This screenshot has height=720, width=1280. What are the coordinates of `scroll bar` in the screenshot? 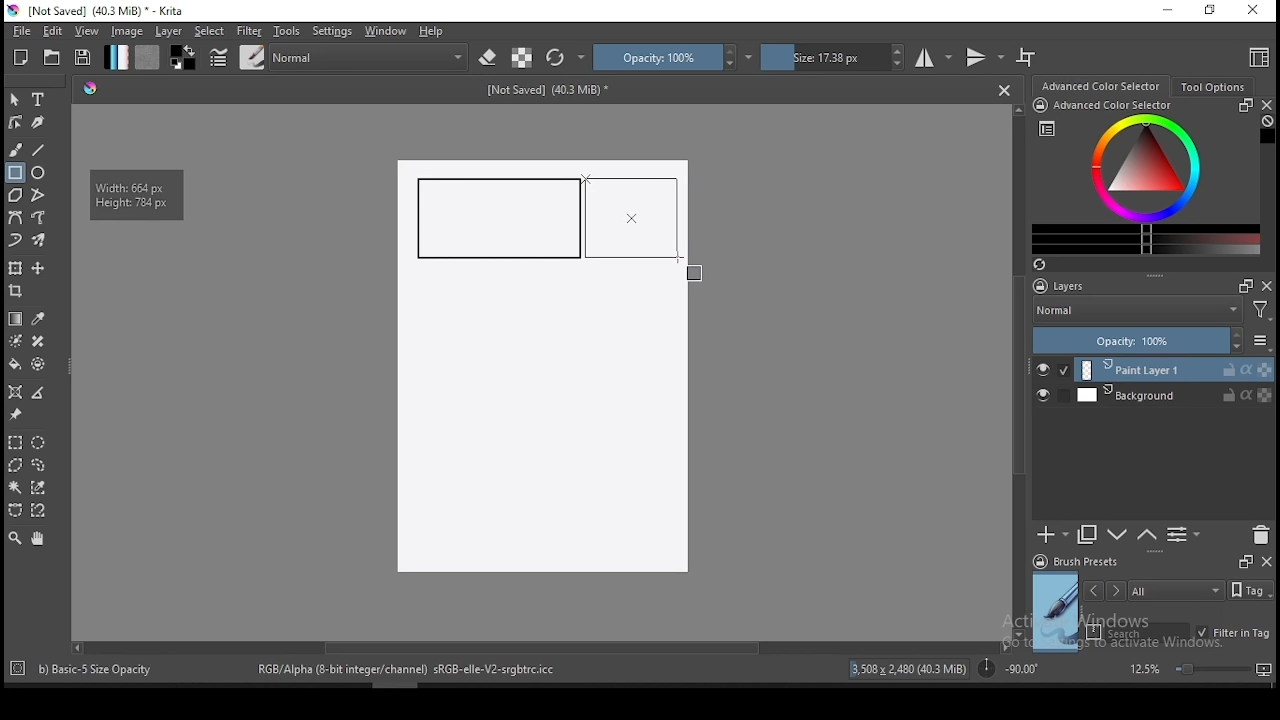 It's located at (539, 646).